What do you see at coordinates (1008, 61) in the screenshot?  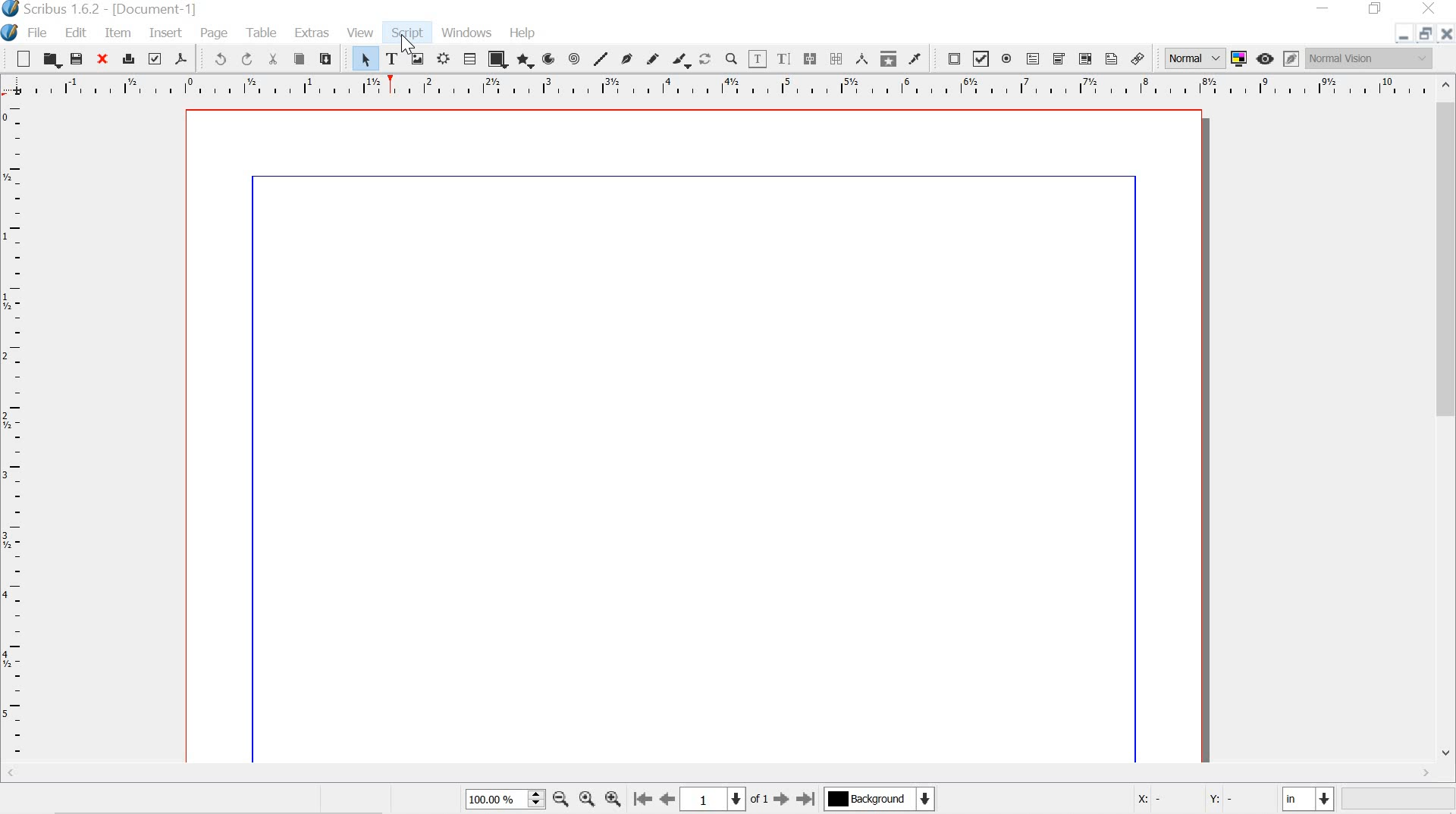 I see `pdf radio button` at bounding box center [1008, 61].